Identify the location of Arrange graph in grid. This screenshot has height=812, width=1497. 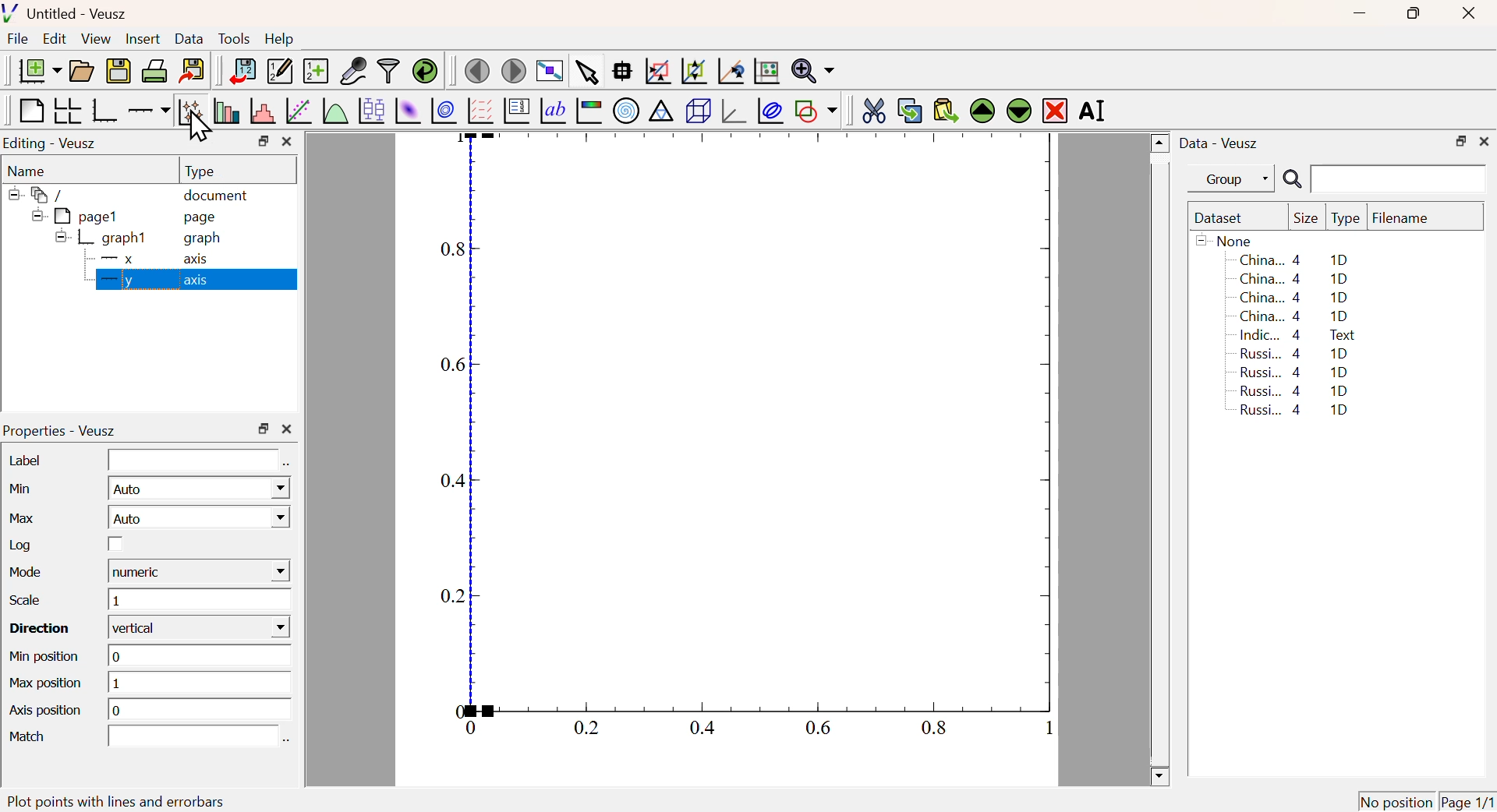
(66, 110).